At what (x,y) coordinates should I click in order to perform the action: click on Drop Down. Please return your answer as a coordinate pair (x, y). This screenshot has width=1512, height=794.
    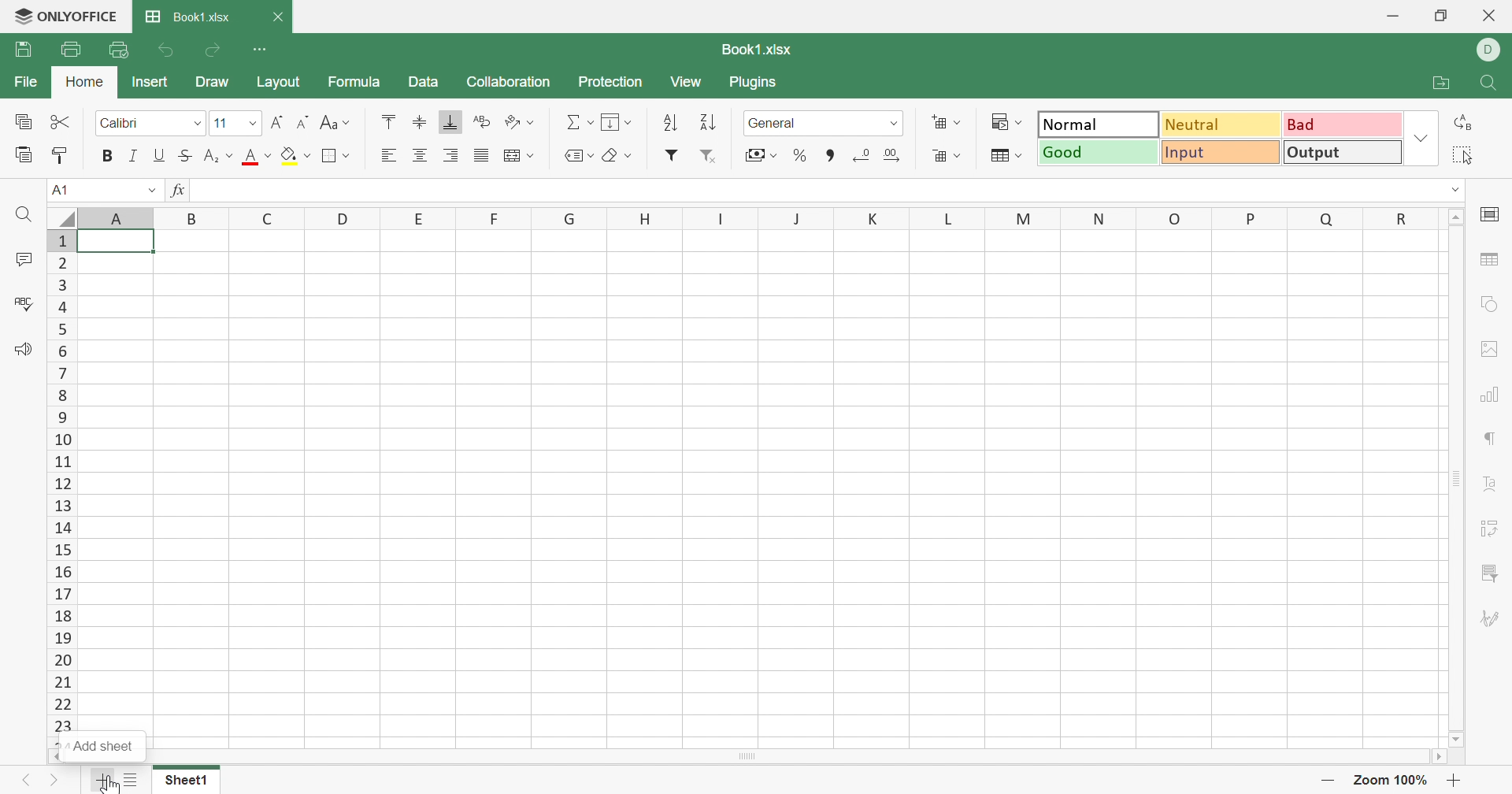
    Looking at the image, I should click on (229, 157).